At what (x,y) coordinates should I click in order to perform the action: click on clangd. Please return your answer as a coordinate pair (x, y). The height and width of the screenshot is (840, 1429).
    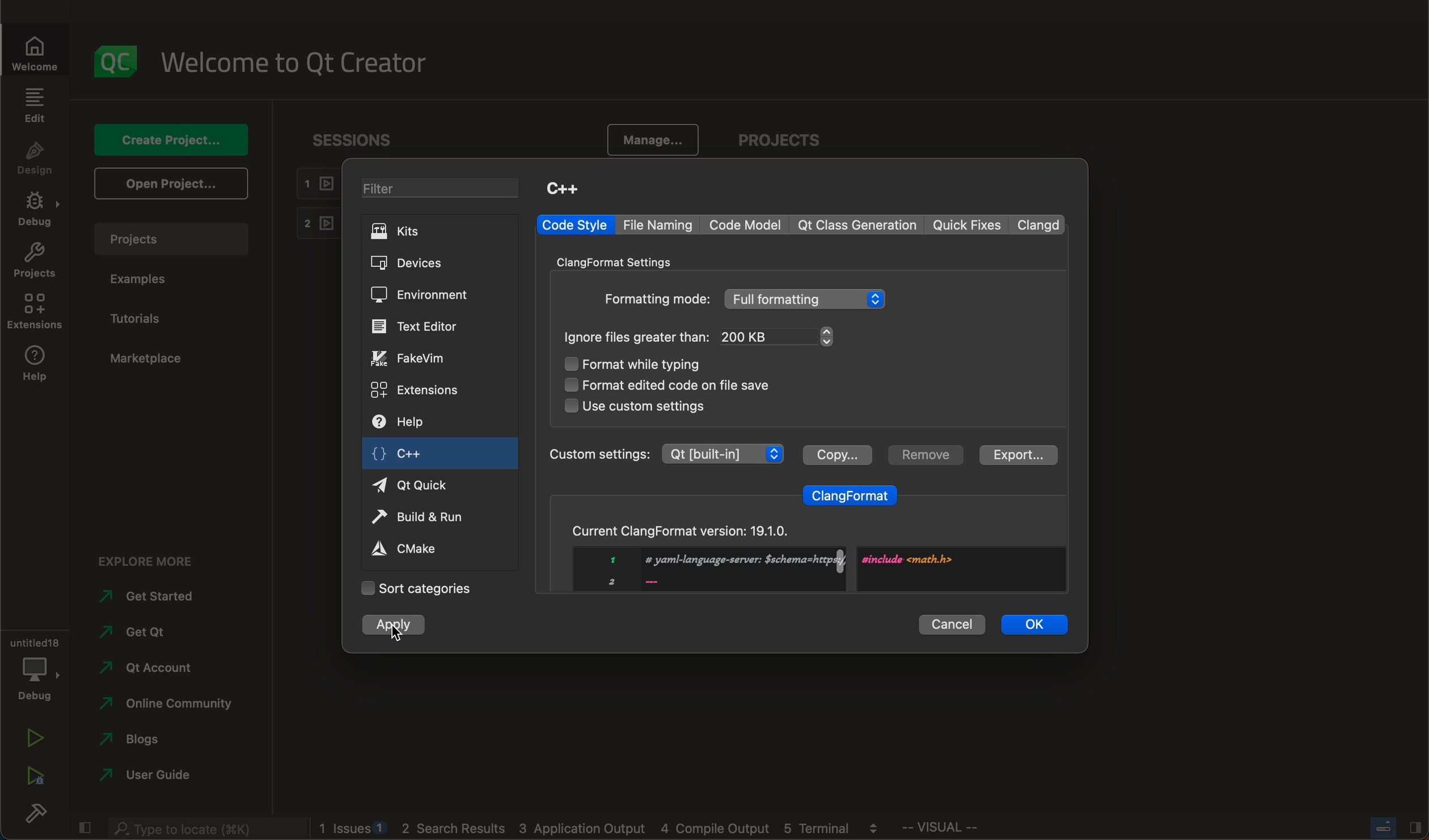
    Looking at the image, I should click on (1041, 224).